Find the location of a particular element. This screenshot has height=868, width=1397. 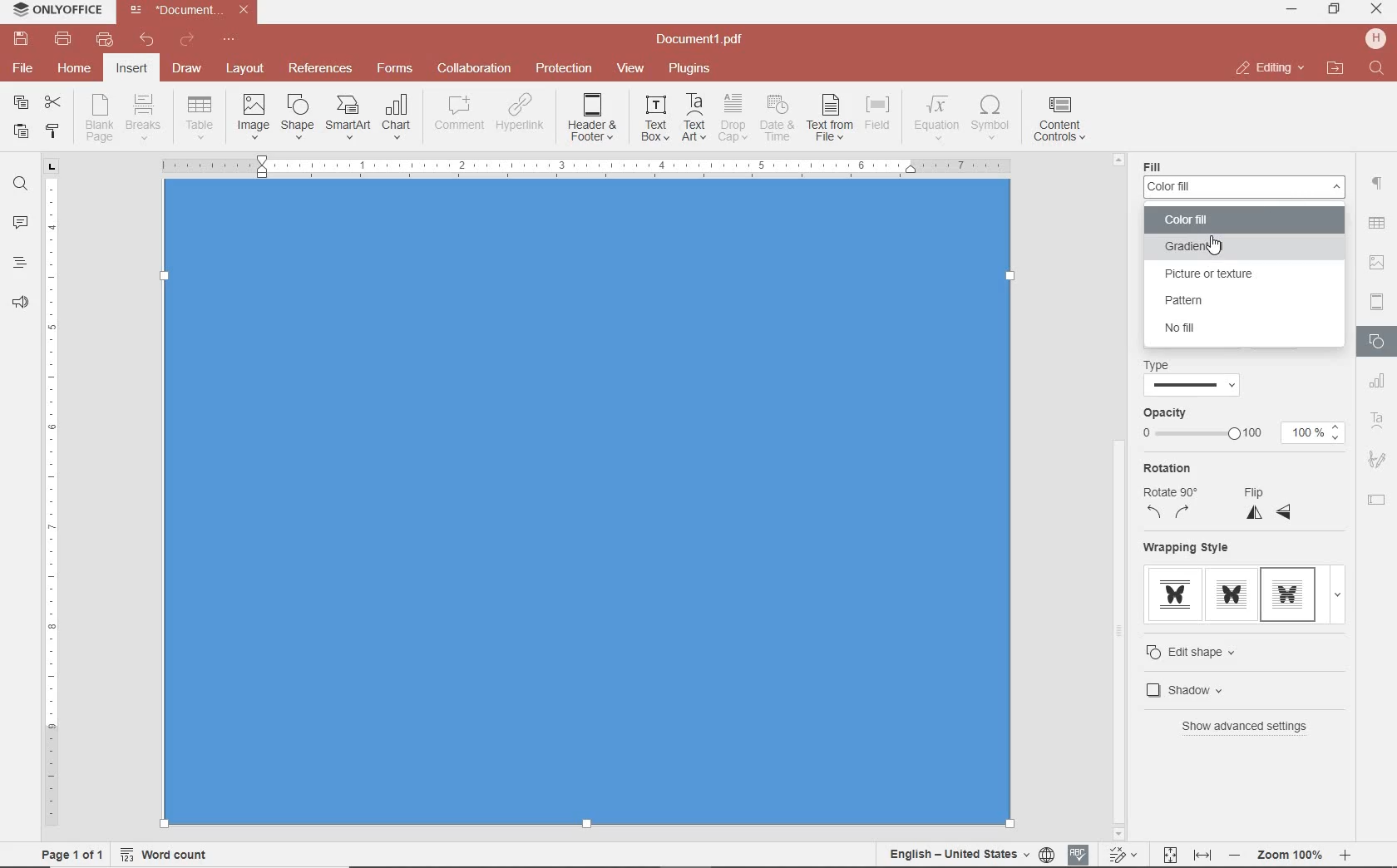

 is located at coordinates (1113, 629).